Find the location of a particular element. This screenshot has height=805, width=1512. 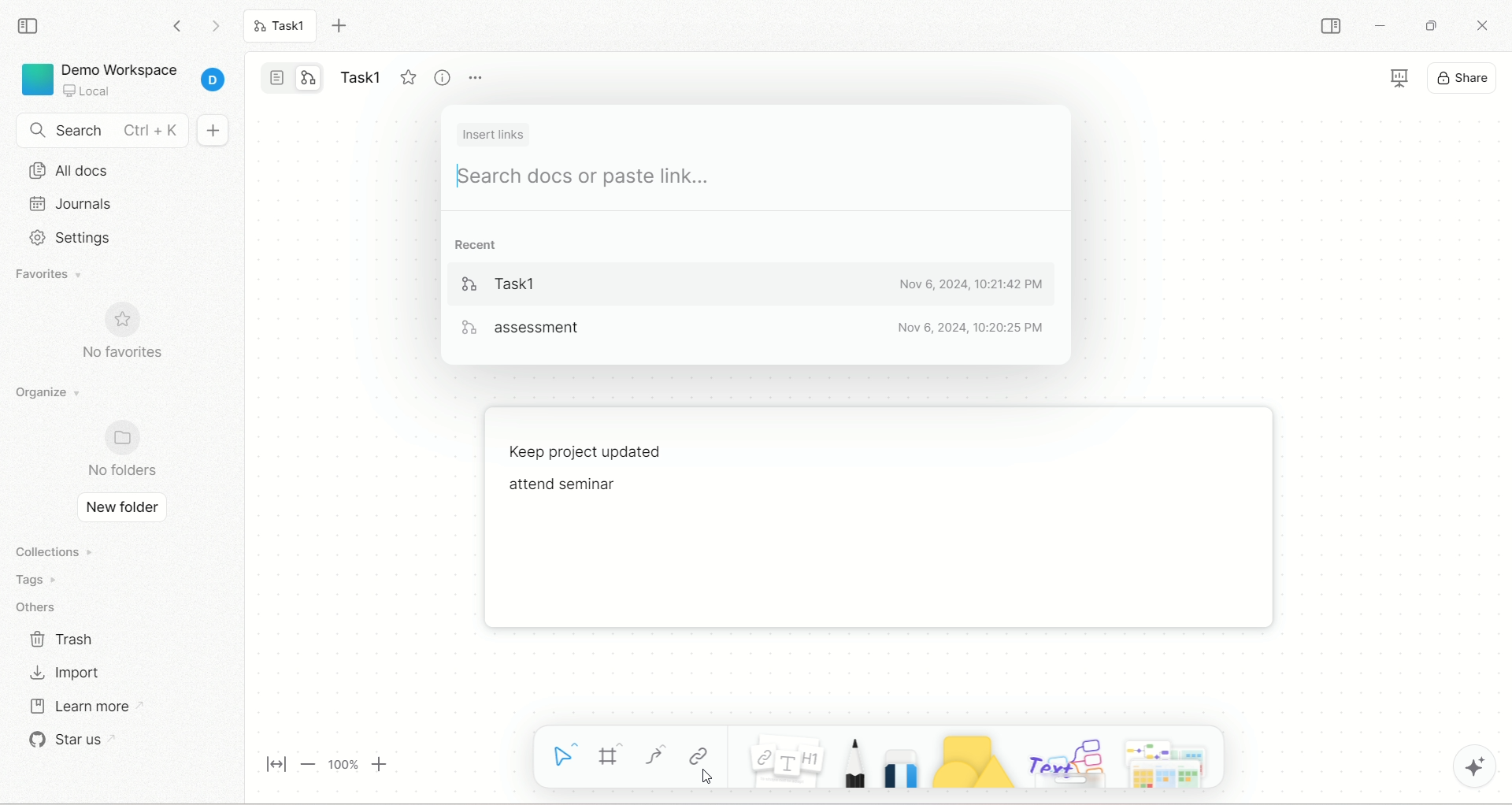

collapse sidebar is located at coordinates (1329, 26).